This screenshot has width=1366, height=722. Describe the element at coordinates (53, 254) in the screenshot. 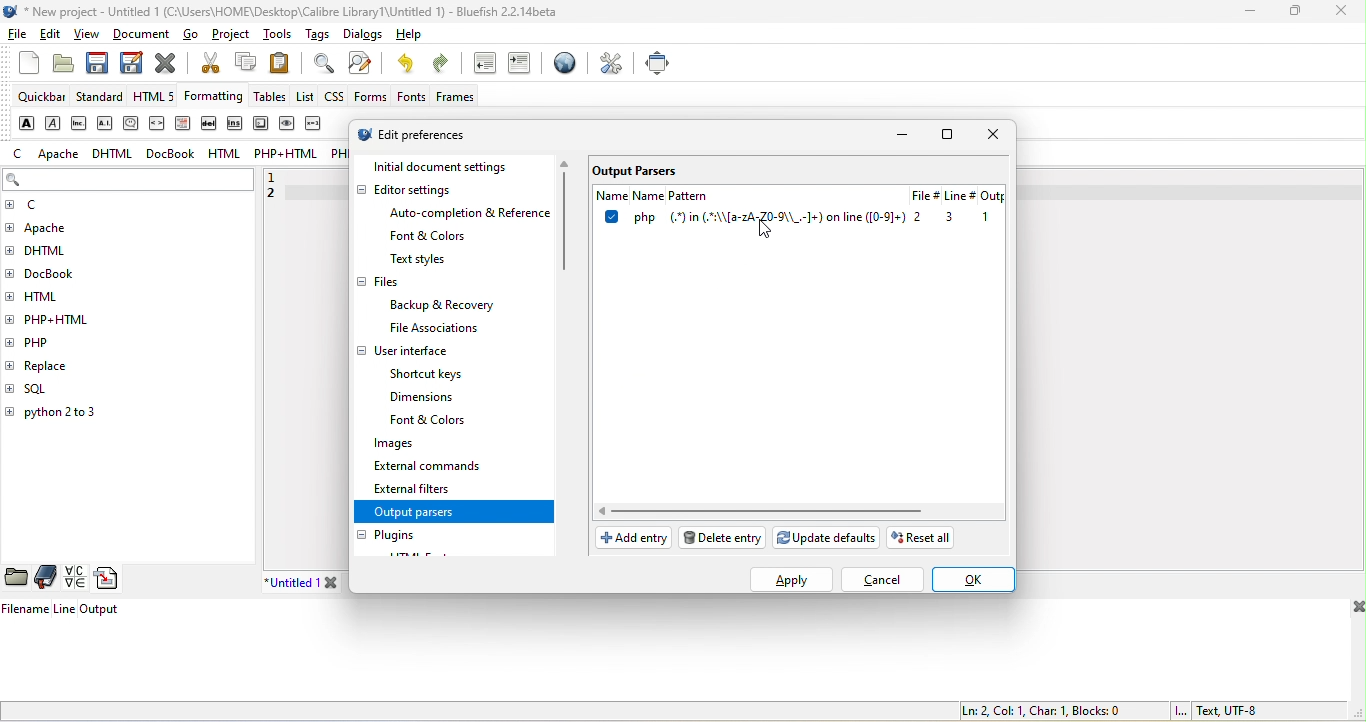

I see `dhtml` at that location.